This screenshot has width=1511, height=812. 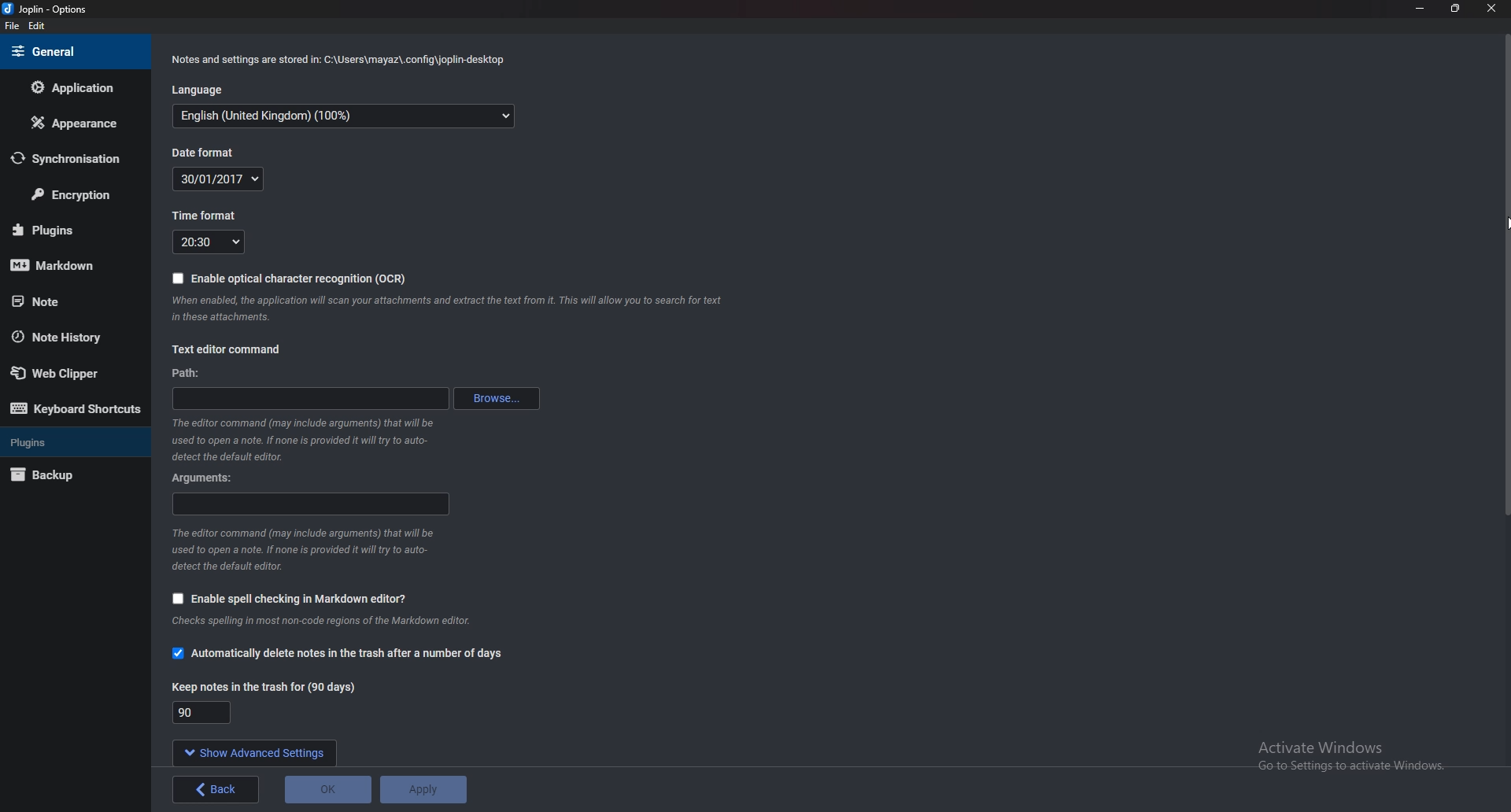 I want to click on plugins, so click(x=71, y=441).